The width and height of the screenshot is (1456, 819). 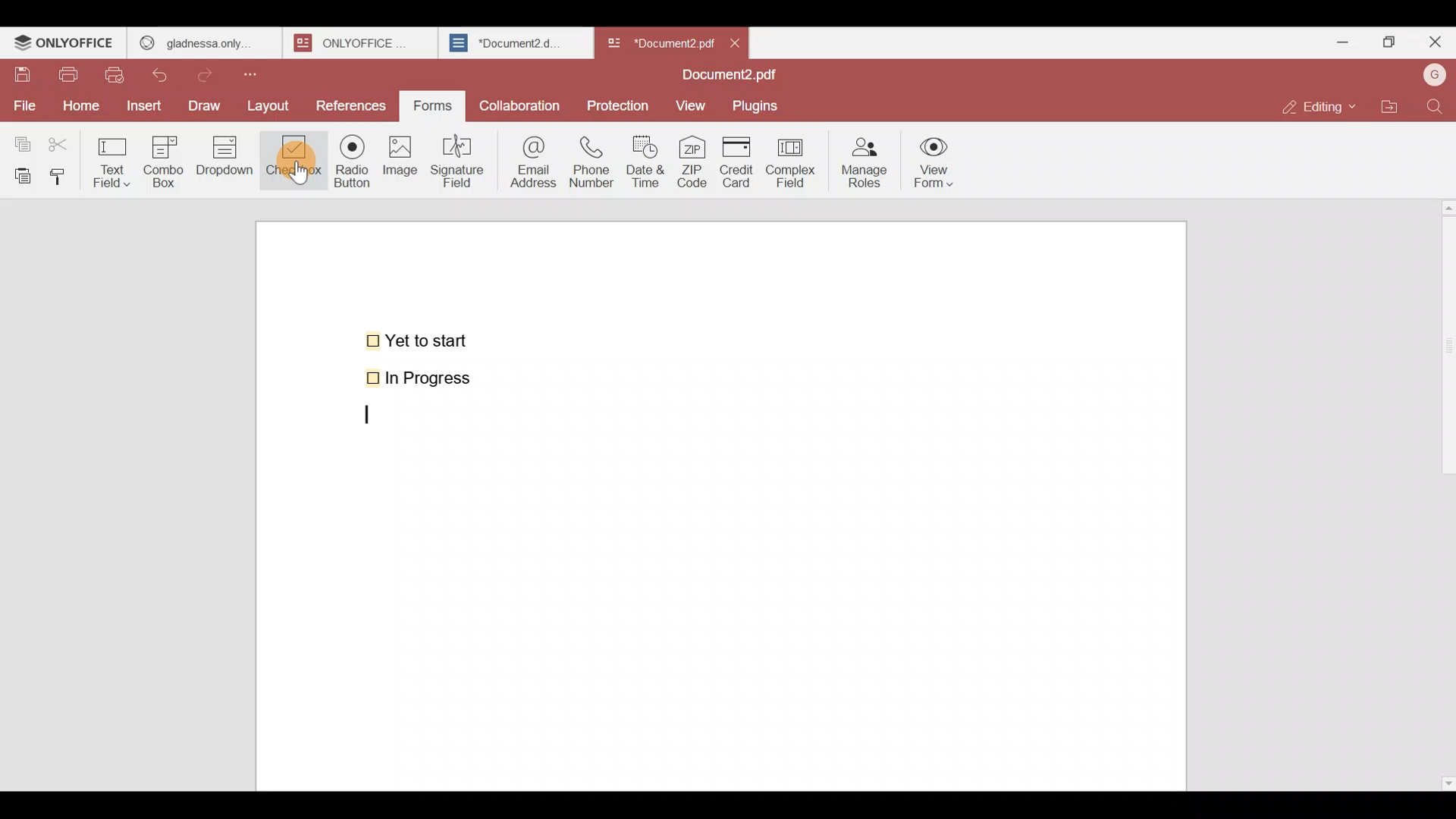 What do you see at coordinates (692, 163) in the screenshot?
I see `ZIP code` at bounding box center [692, 163].